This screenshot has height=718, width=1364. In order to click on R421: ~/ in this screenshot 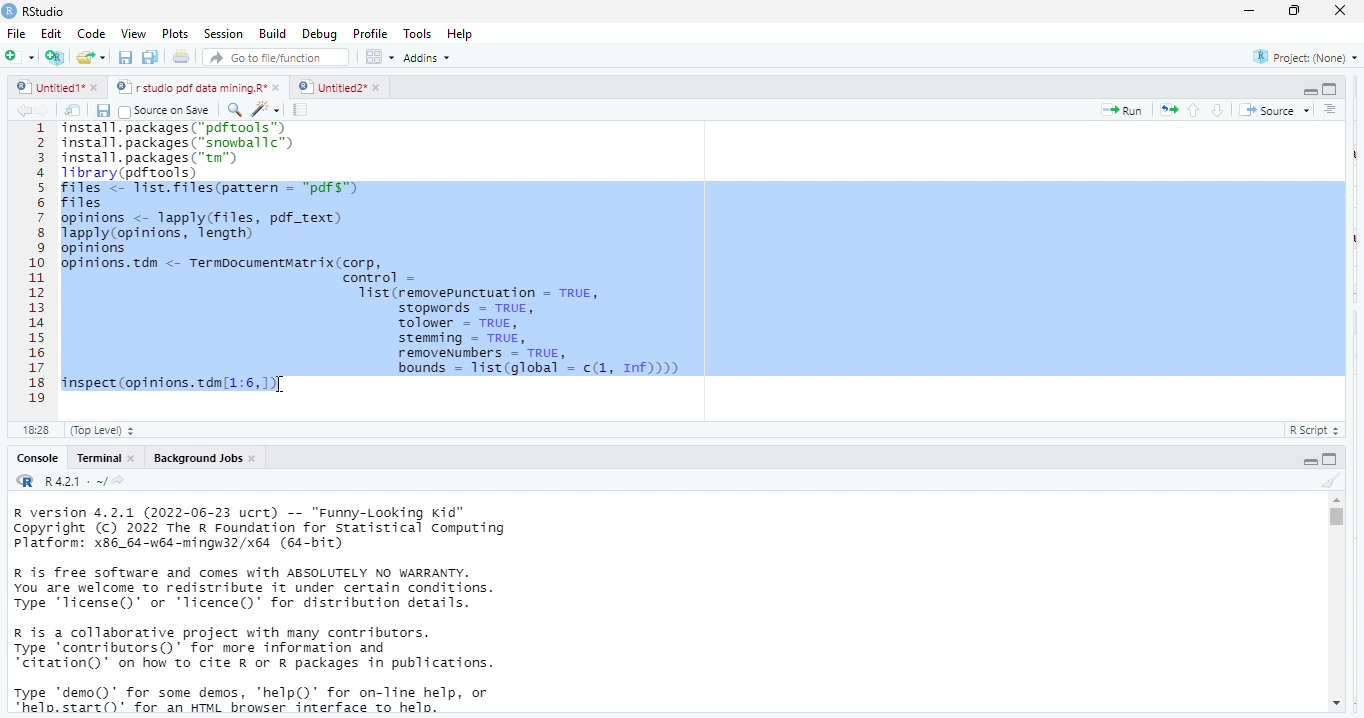, I will do `click(84, 482)`.